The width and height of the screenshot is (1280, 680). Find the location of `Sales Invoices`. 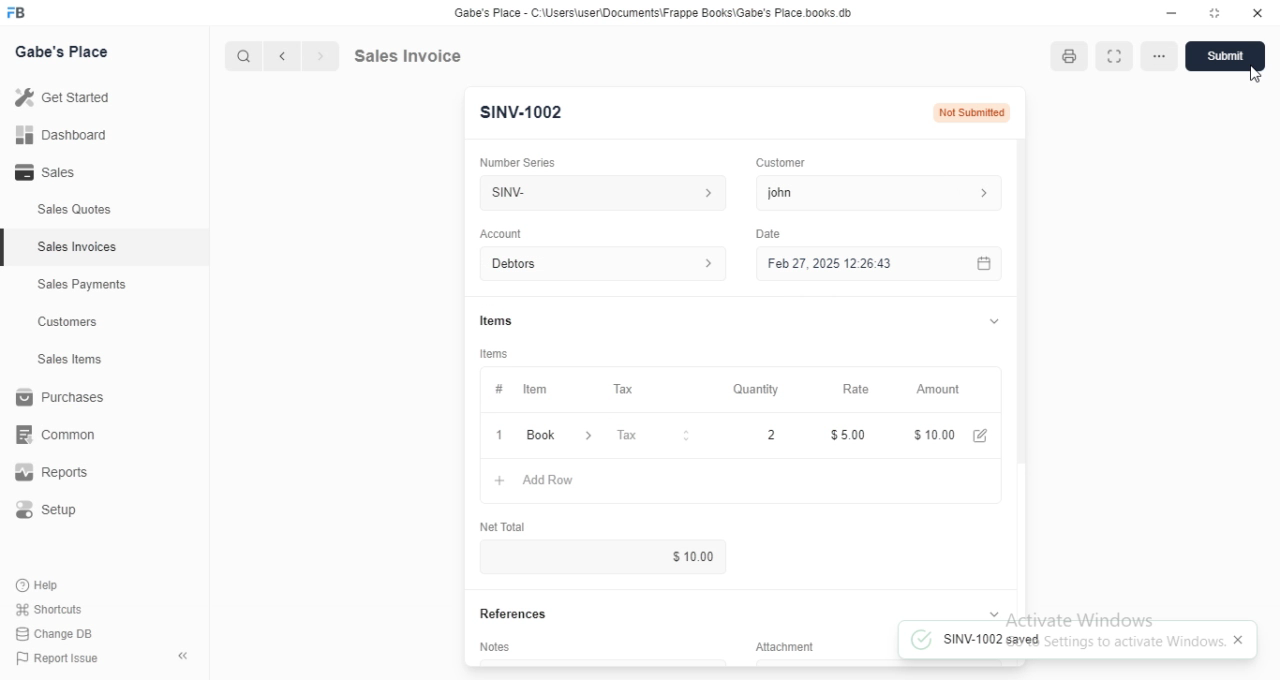

Sales Invoices is located at coordinates (80, 248).